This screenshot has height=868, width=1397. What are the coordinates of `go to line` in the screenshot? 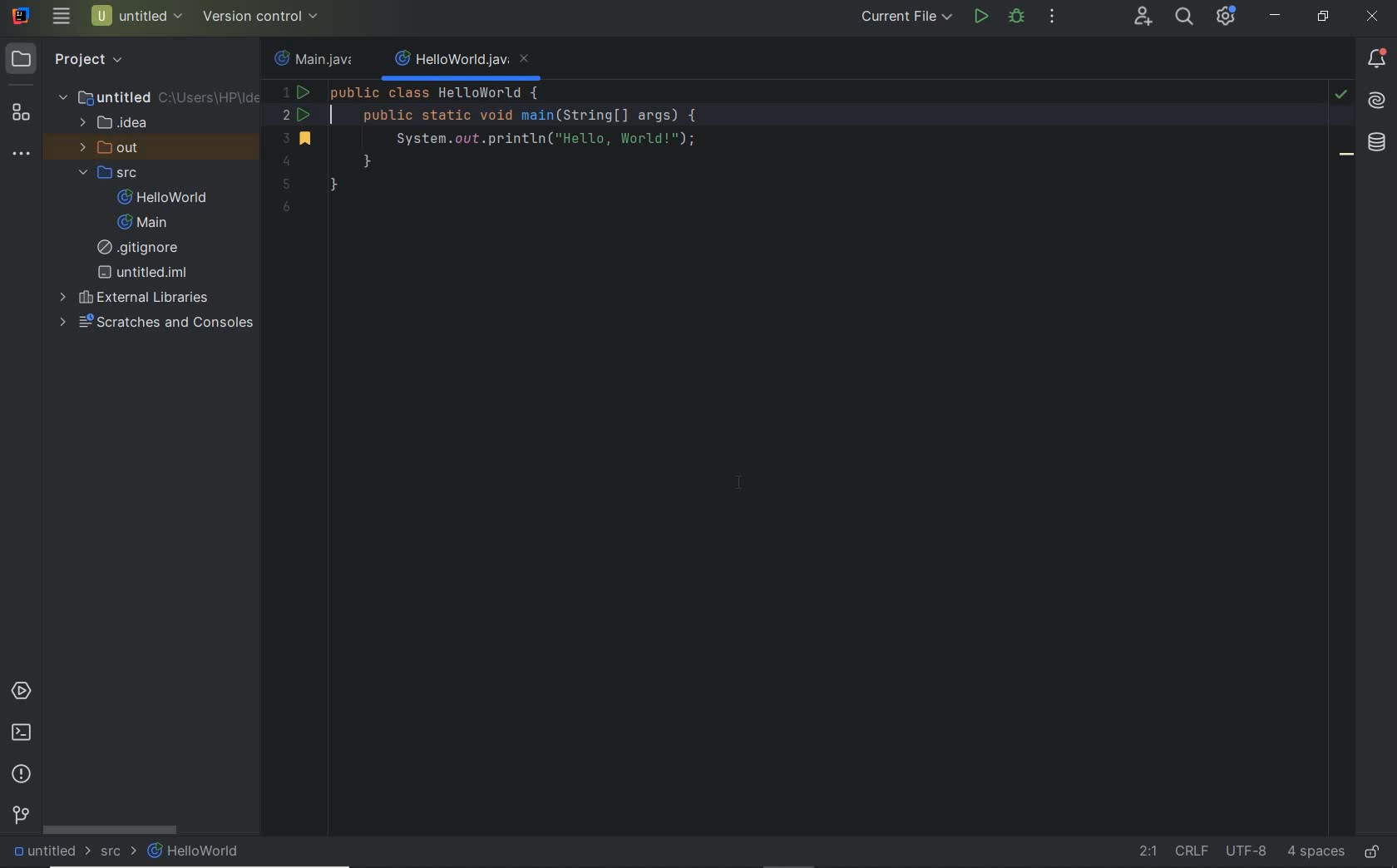 It's located at (1148, 849).